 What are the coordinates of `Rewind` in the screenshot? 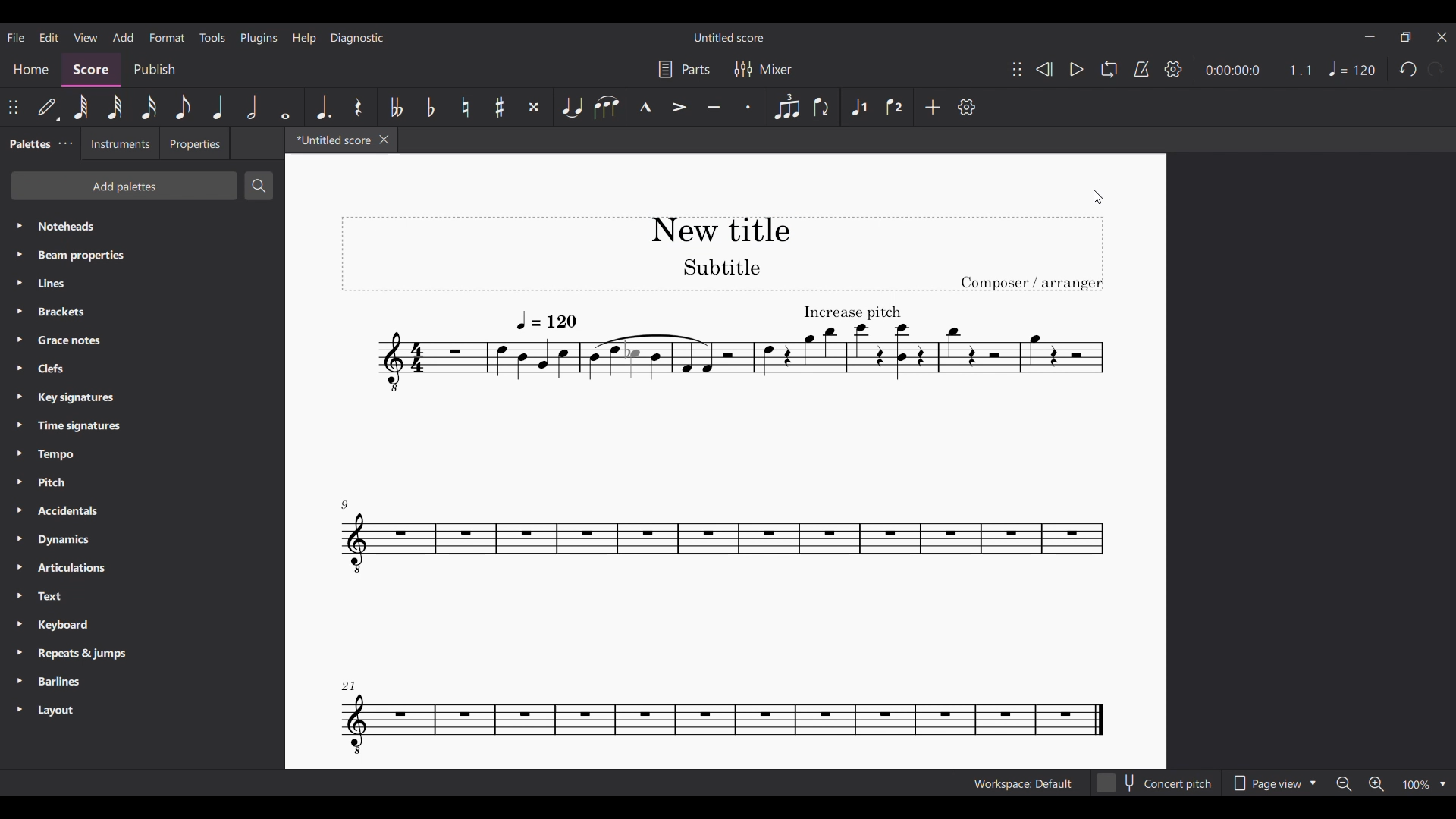 It's located at (1043, 69).